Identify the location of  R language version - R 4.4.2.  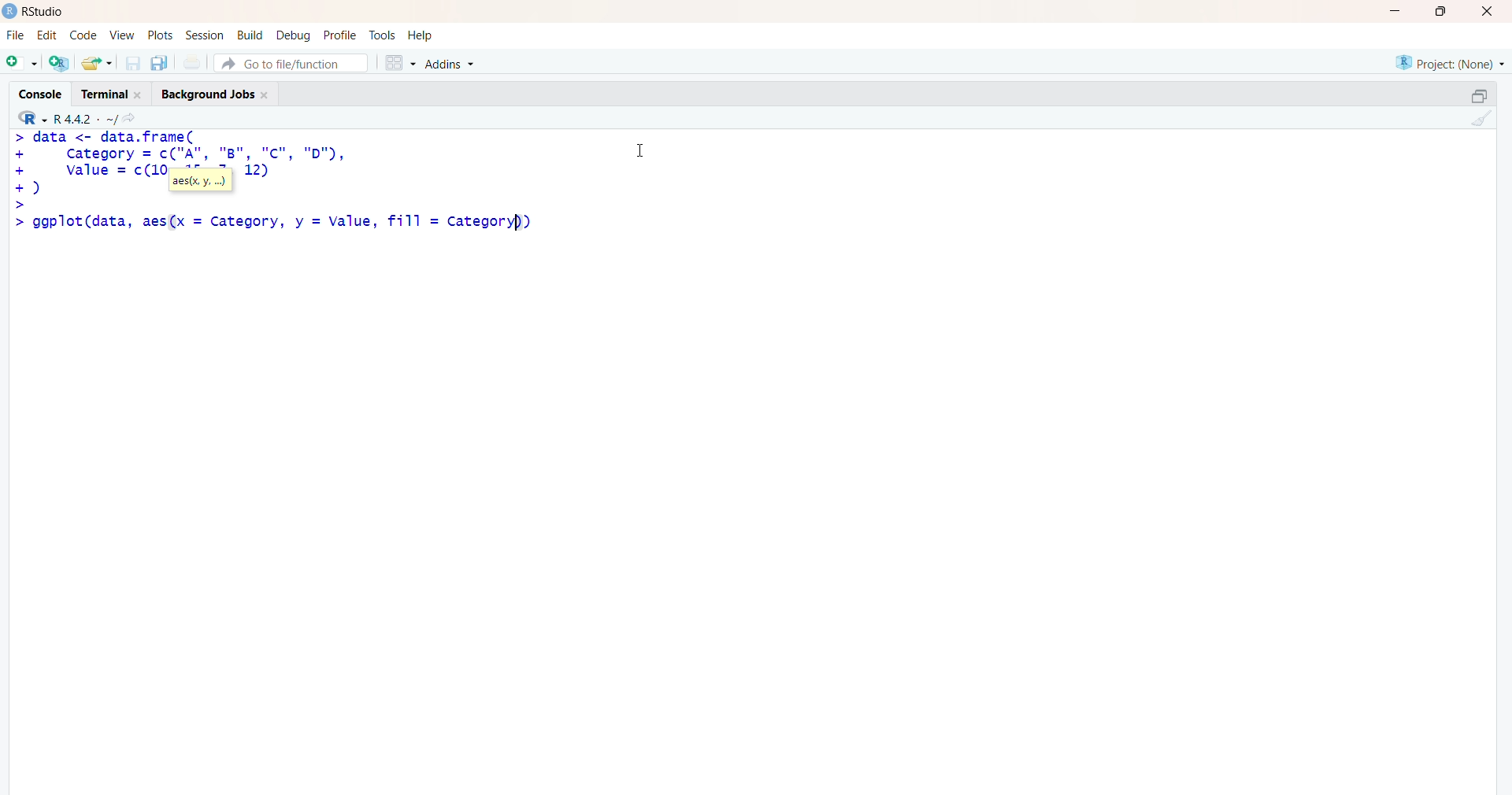
(85, 117).